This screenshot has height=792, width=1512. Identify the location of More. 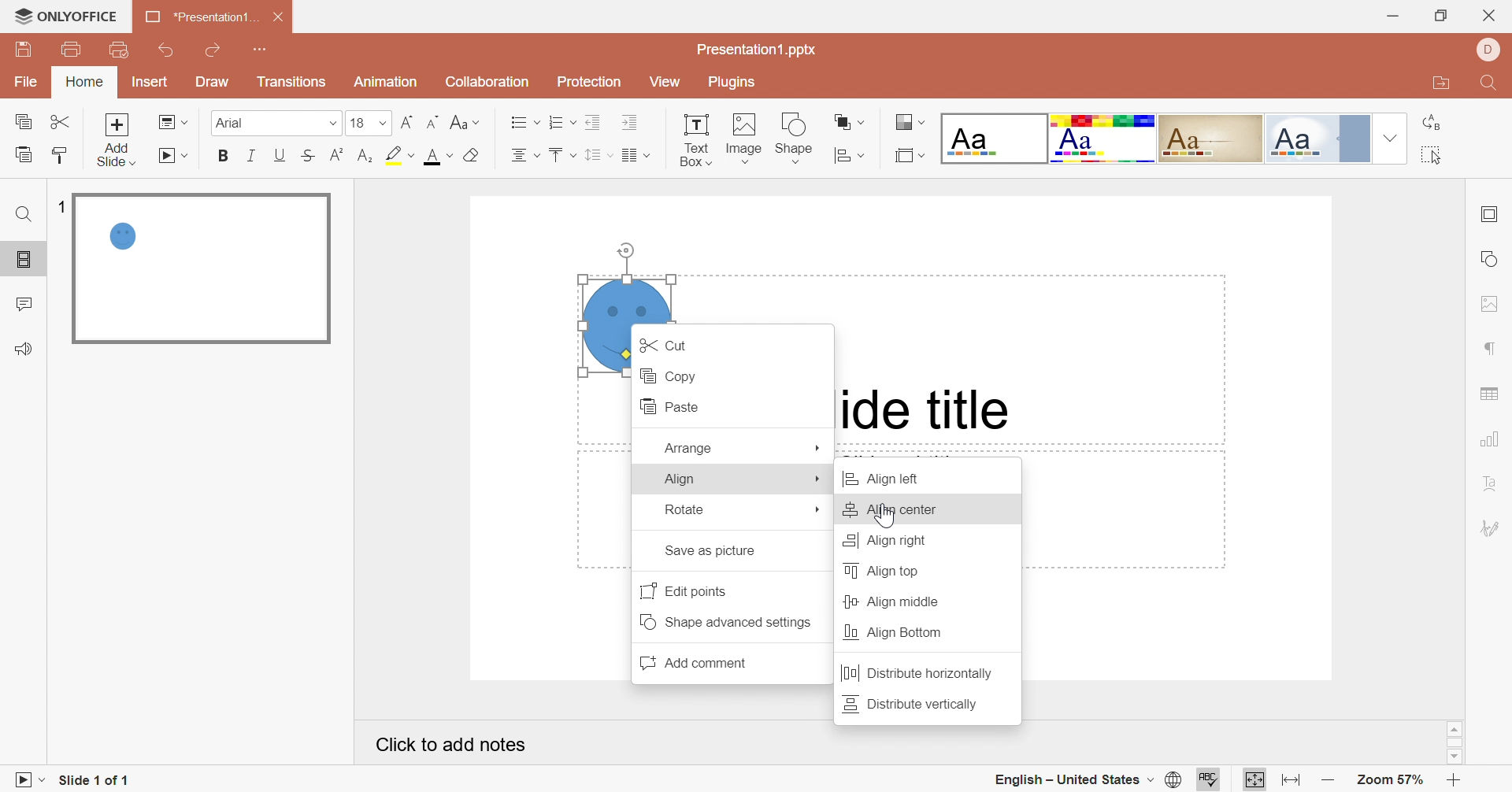
(819, 481).